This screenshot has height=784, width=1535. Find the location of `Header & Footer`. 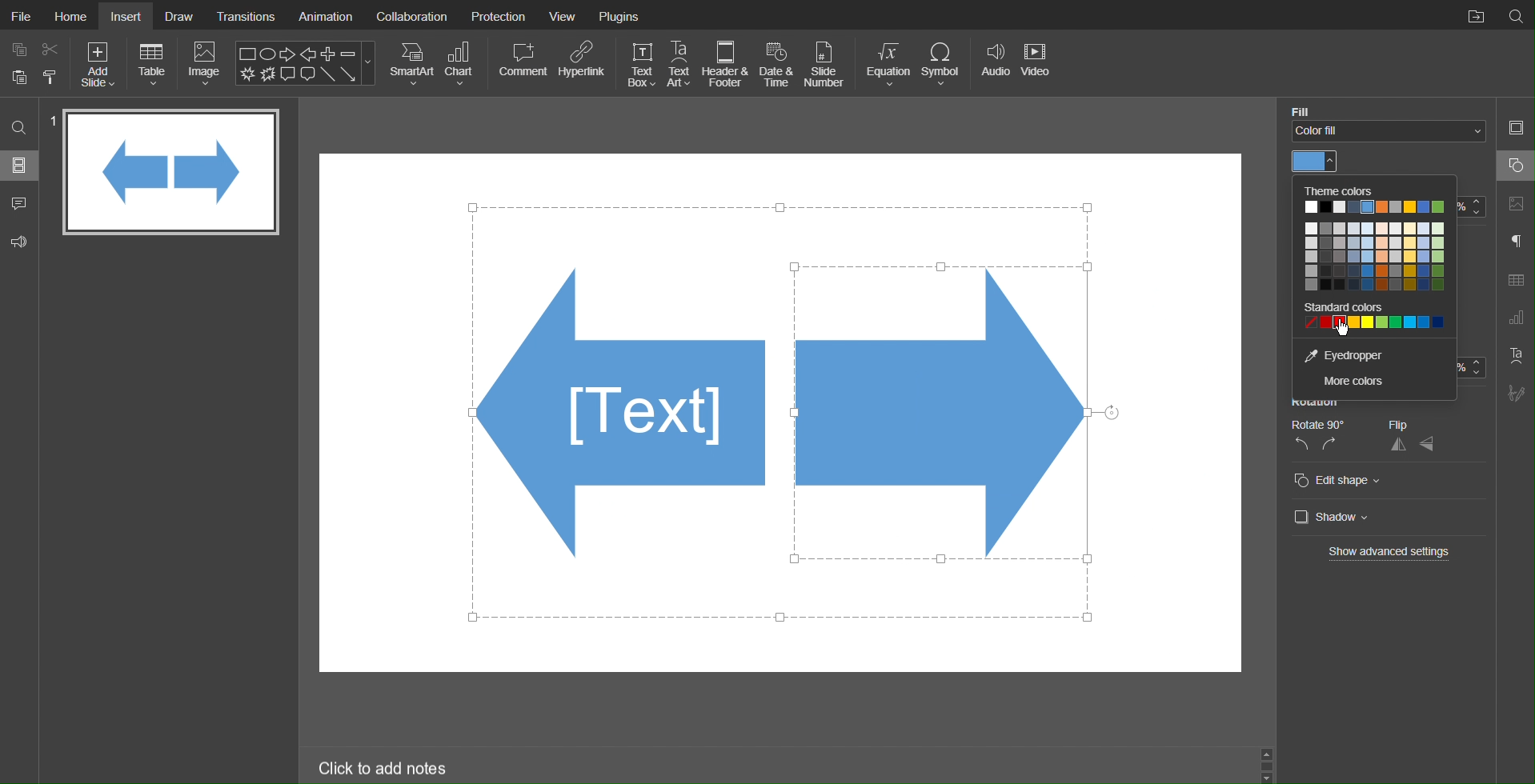

Header & Footer is located at coordinates (727, 64).